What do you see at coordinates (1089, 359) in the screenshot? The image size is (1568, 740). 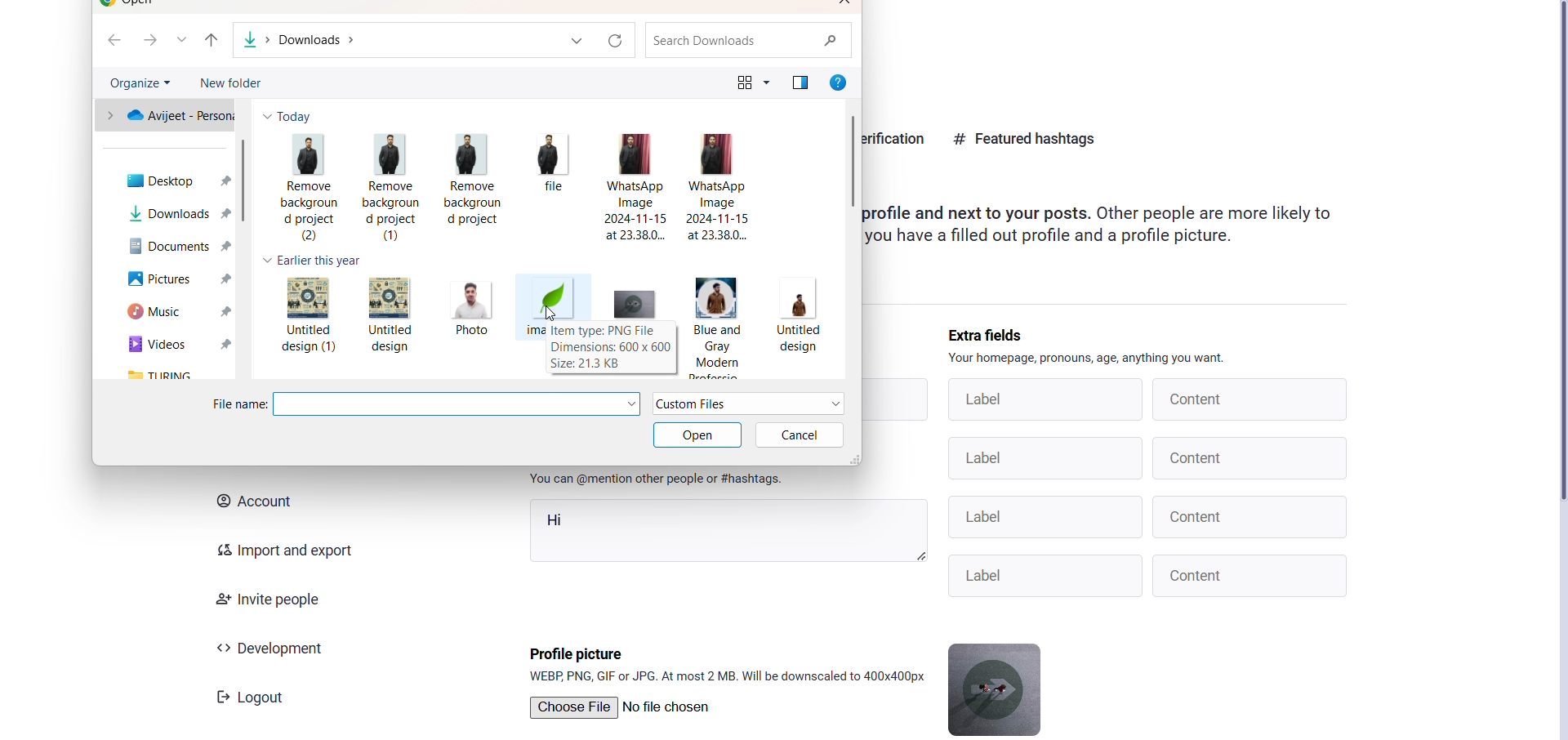 I see `instruction` at bounding box center [1089, 359].